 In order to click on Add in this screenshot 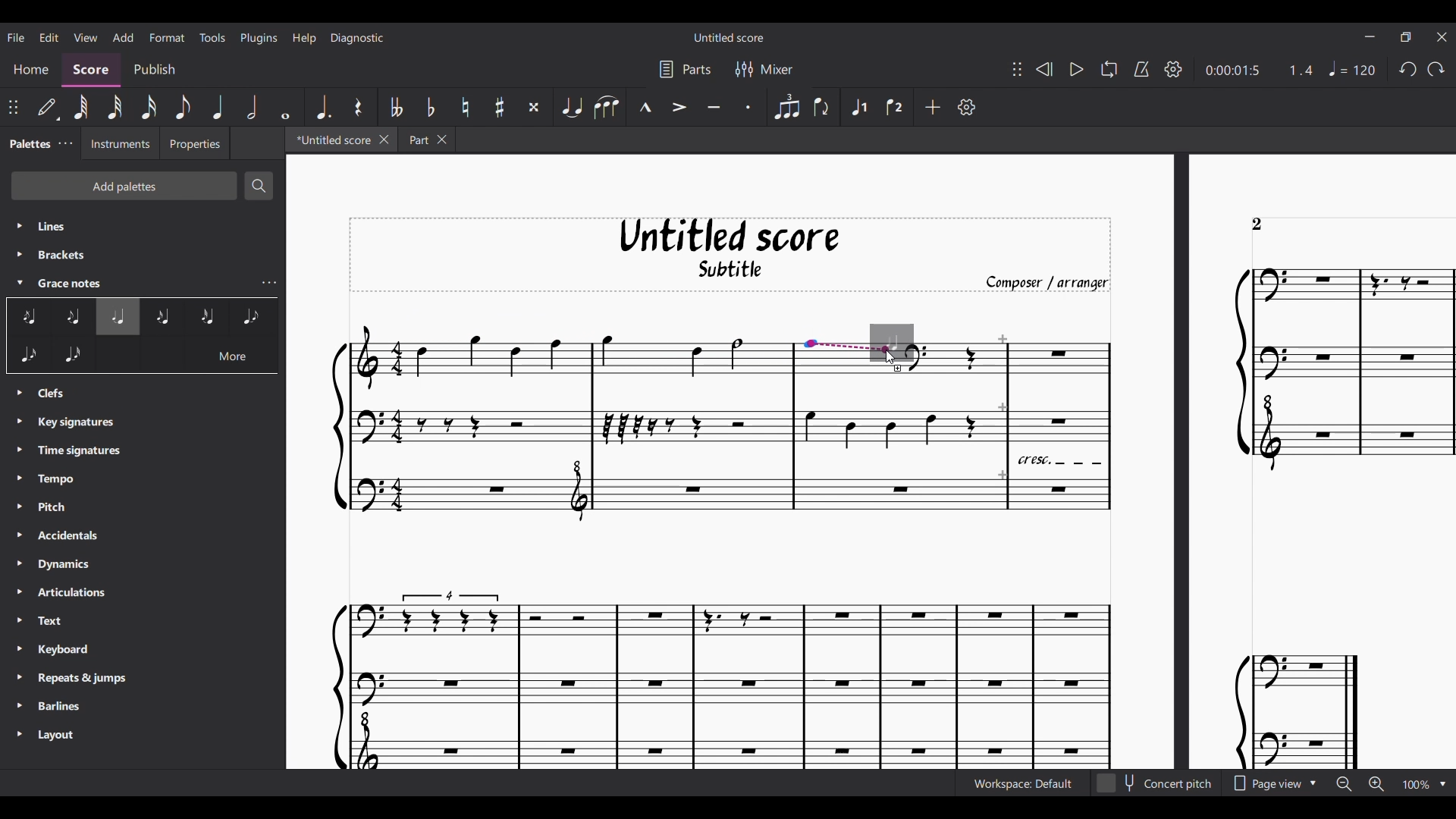, I will do `click(932, 107)`.